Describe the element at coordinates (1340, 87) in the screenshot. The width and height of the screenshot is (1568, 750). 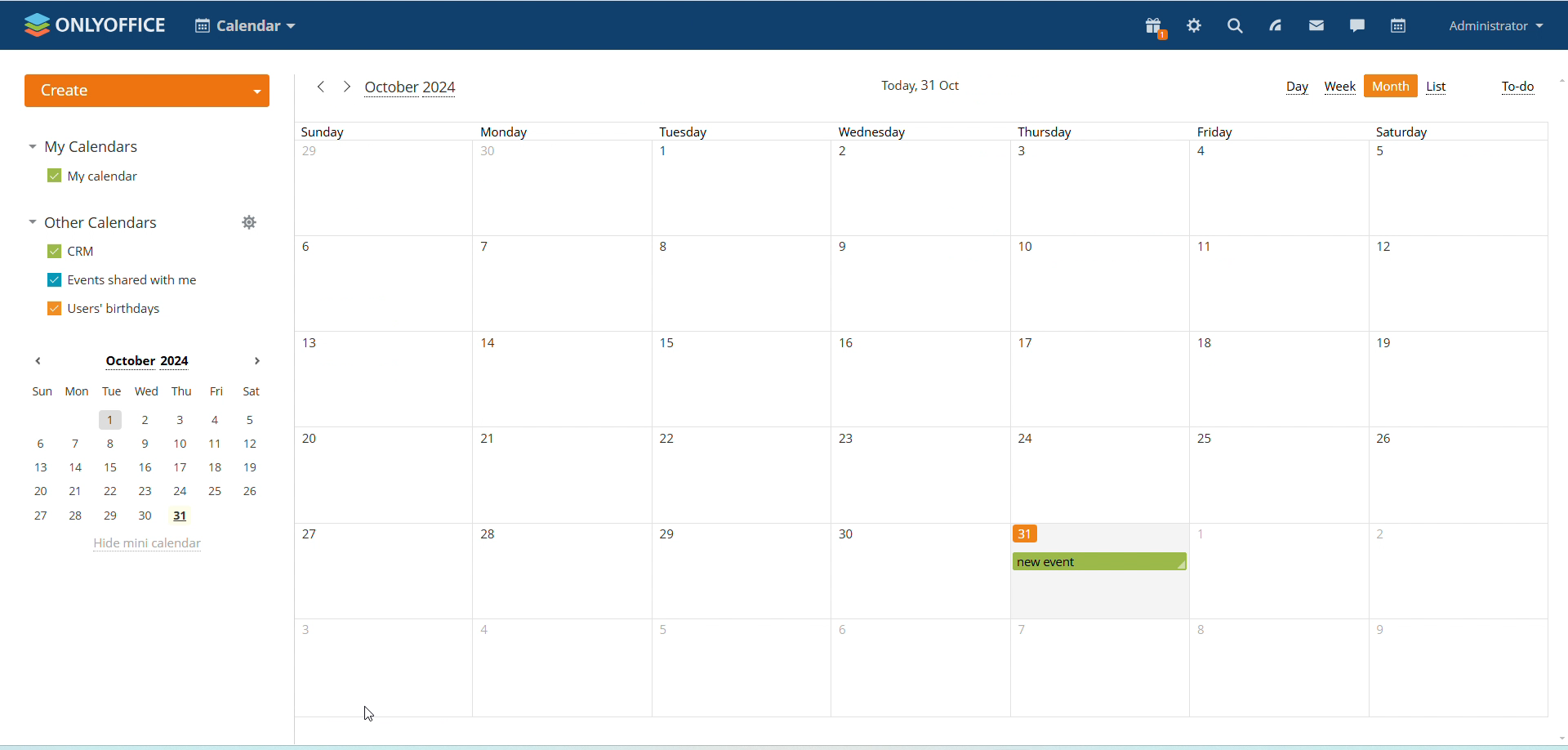
I see `week view` at that location.